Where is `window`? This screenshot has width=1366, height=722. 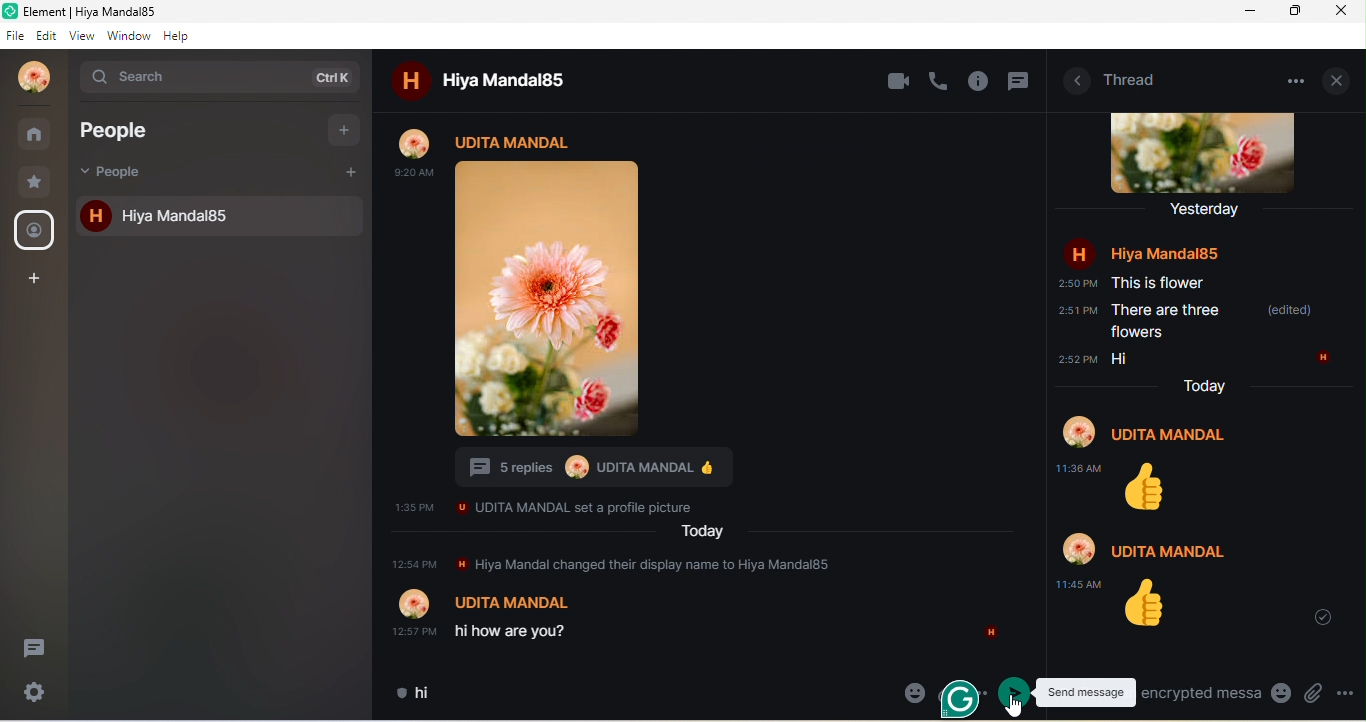
window is located at coordinates (129, 35).